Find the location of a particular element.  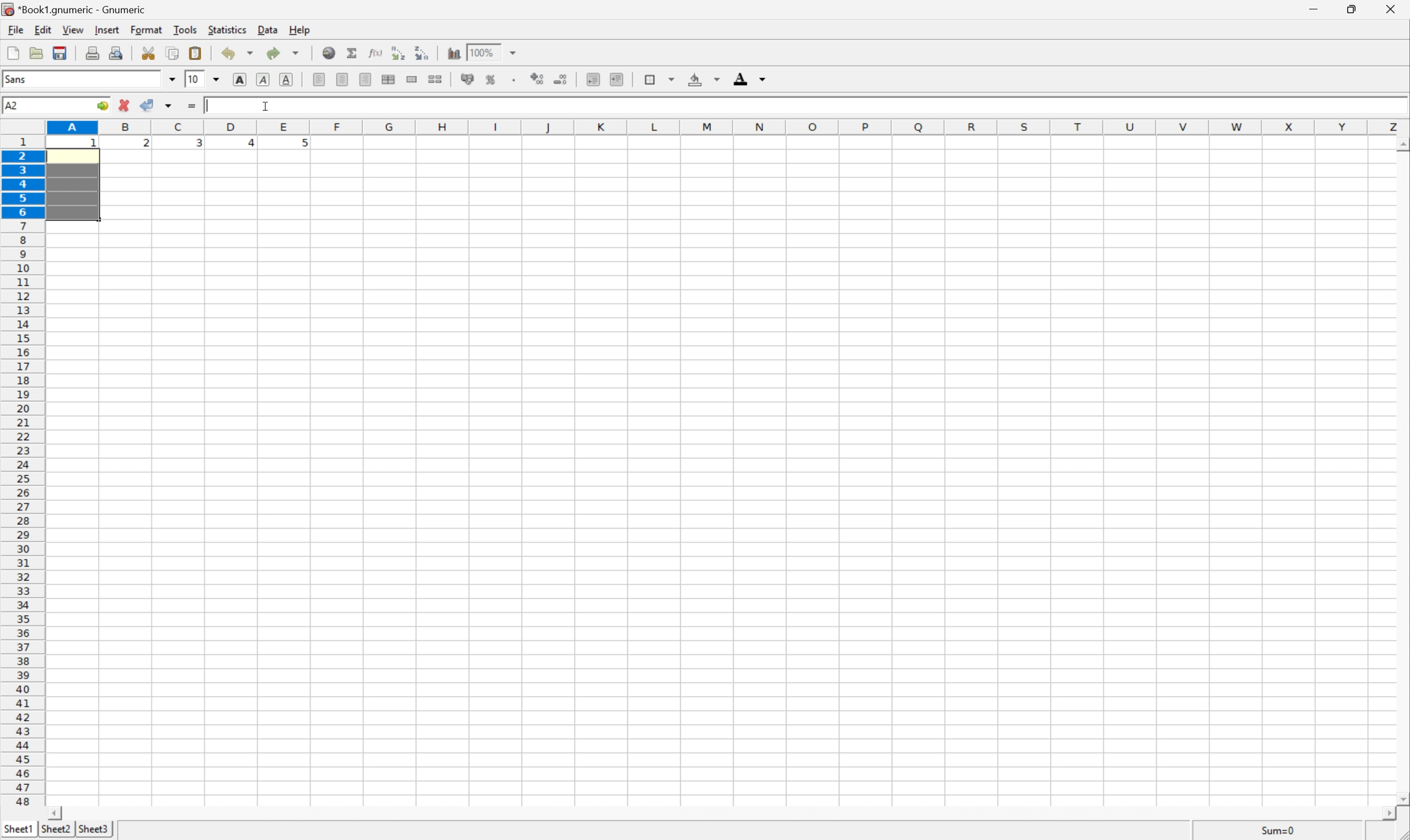

scroll up is located at coordinates (1401, 146).